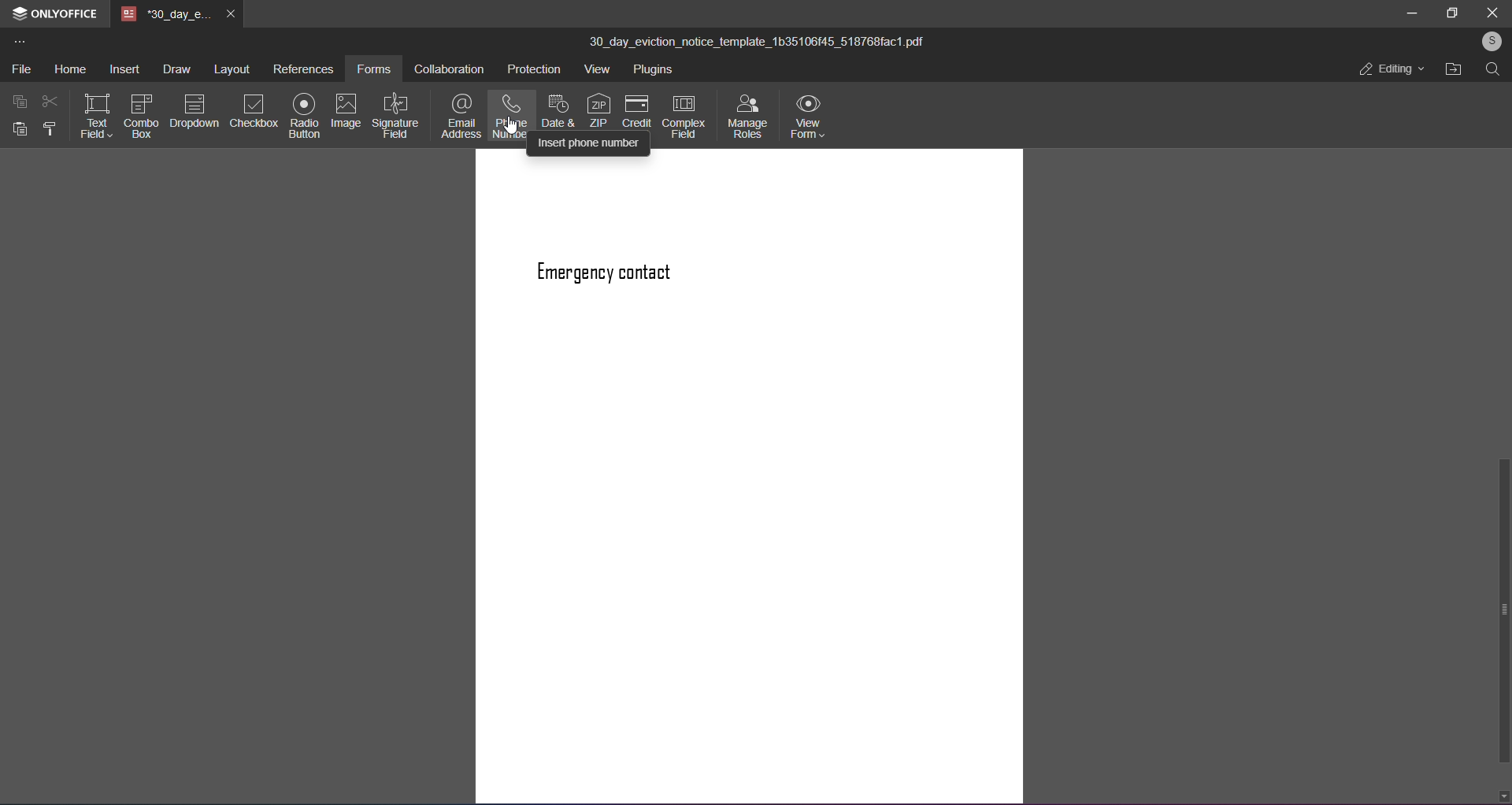 The width and height of the screenshot is (1512, 805). Describe the element at coordinates (1492, 13) in the screenshot. I see `close` at that location.